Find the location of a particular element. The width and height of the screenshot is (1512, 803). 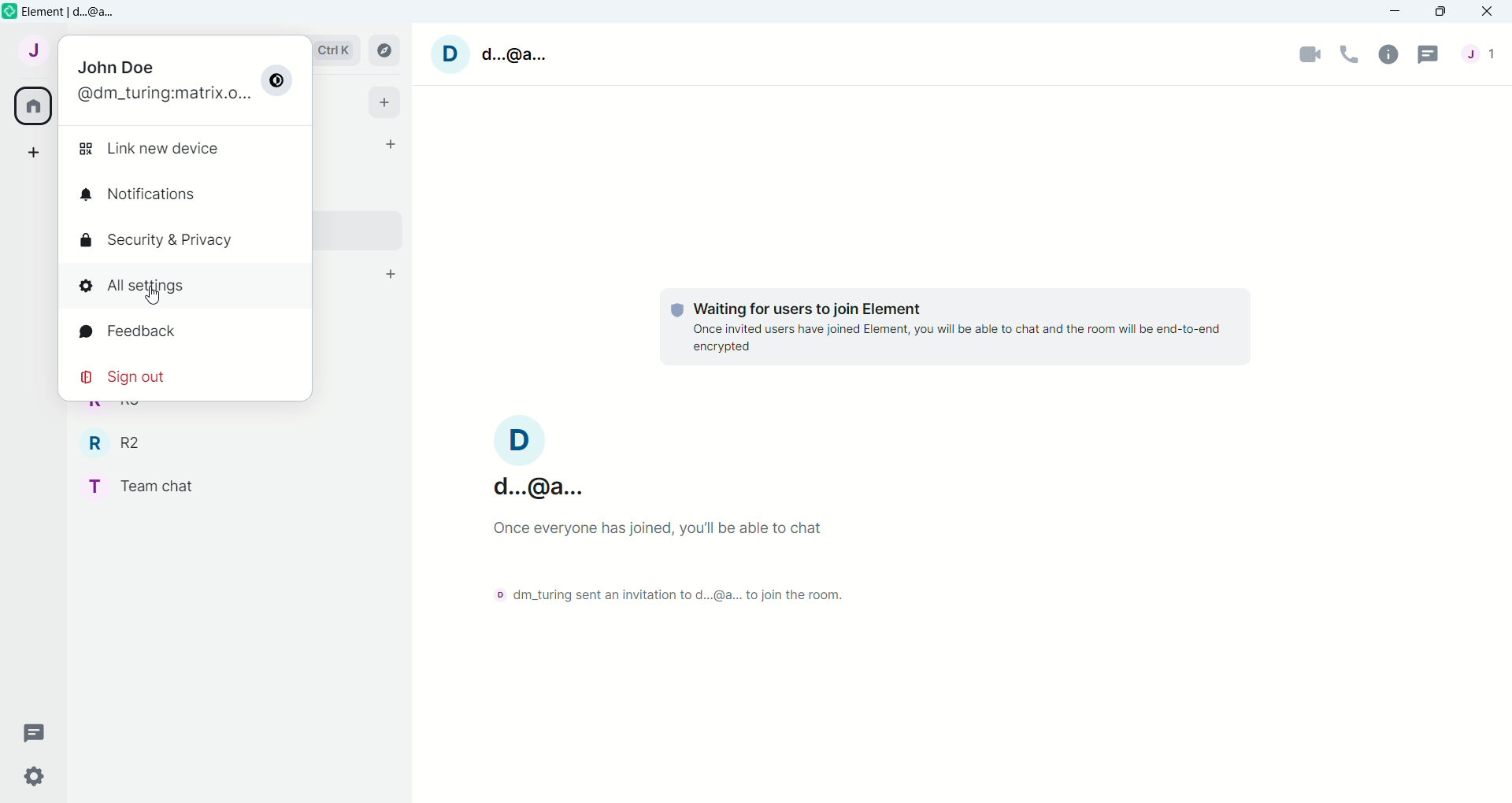

Room Team chat is located at coordinates (138, 486).